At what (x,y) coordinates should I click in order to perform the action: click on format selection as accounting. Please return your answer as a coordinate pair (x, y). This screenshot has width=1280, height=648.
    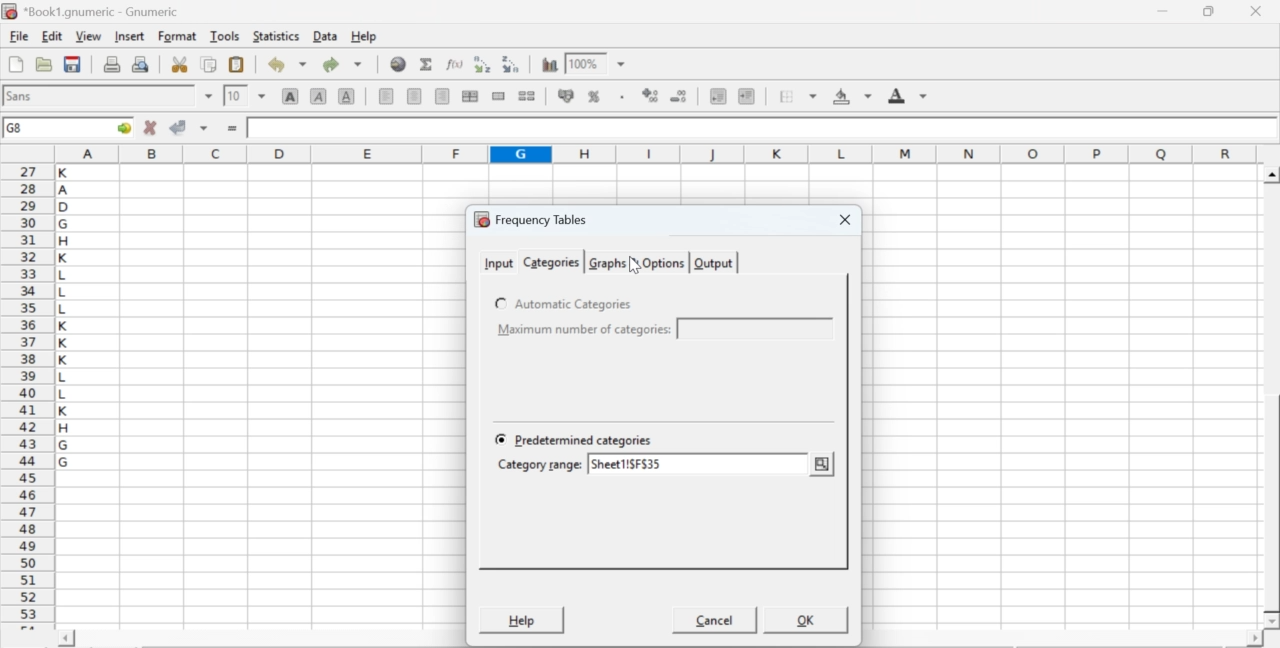
    Looking at the image, I should click on (566, 95).